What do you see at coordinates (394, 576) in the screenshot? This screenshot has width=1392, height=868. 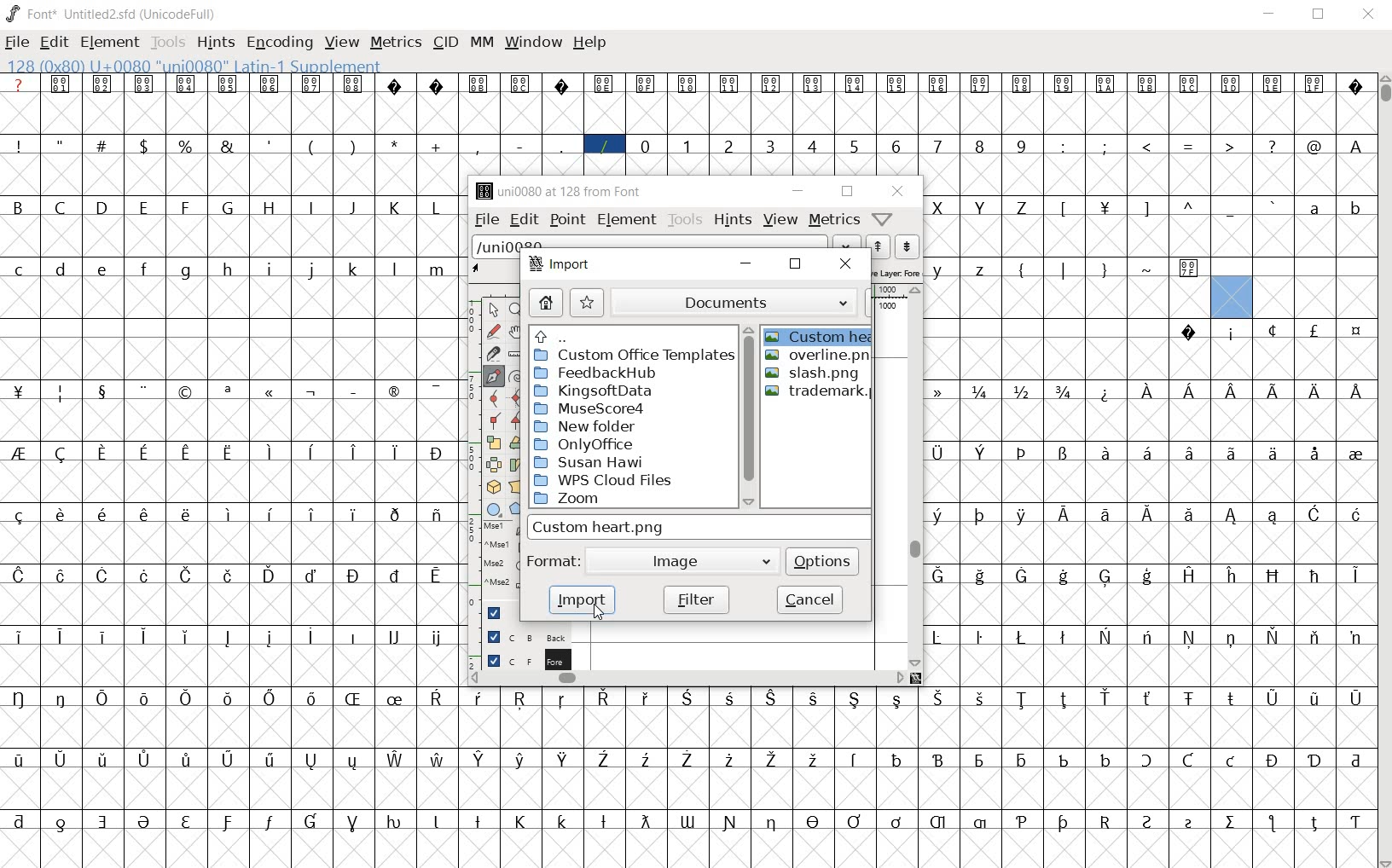 I see `glyph` at bounding box center [394, 576].